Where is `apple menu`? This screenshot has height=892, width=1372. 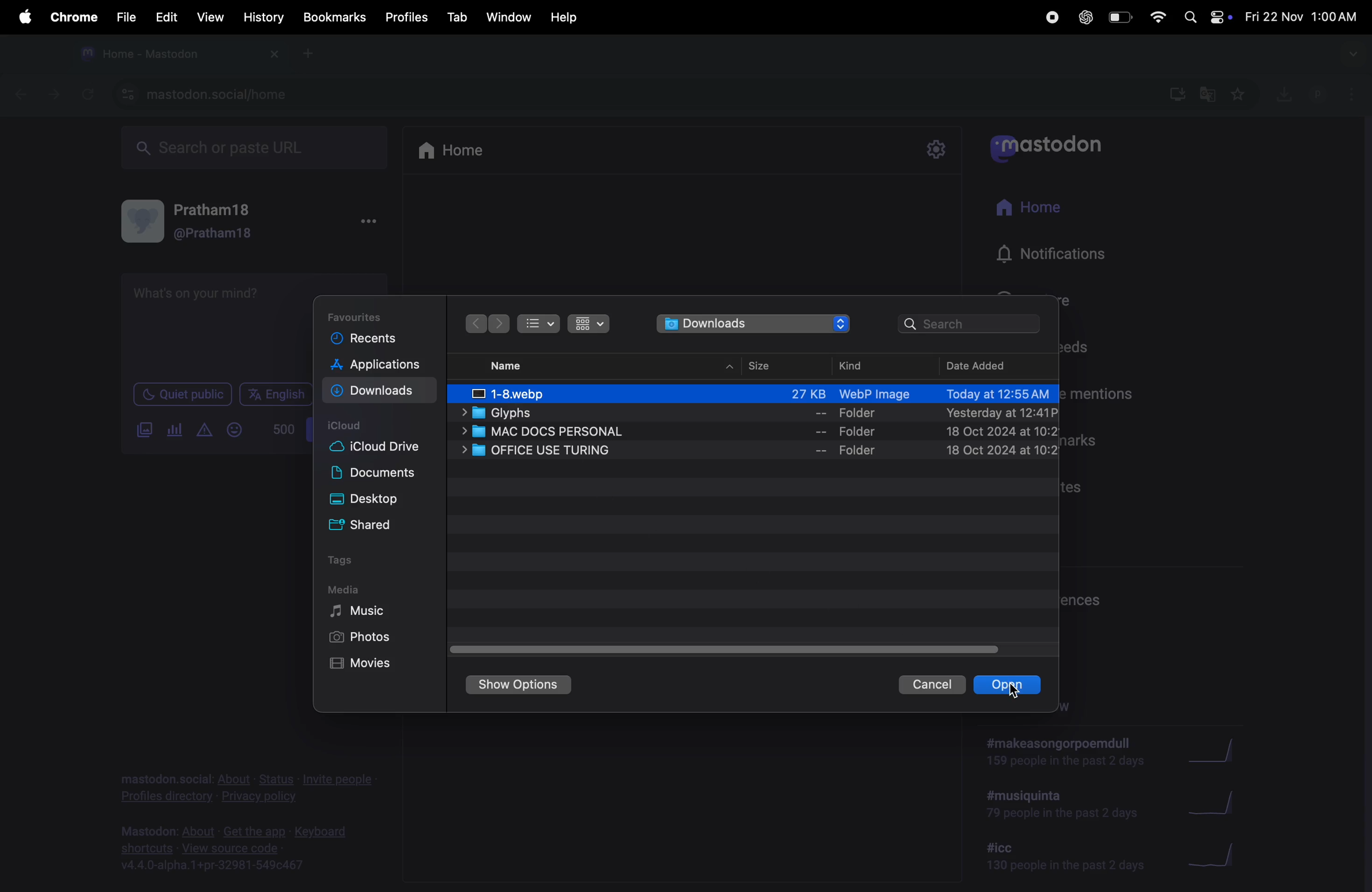 apple menu is located at coordinates (24, 18).